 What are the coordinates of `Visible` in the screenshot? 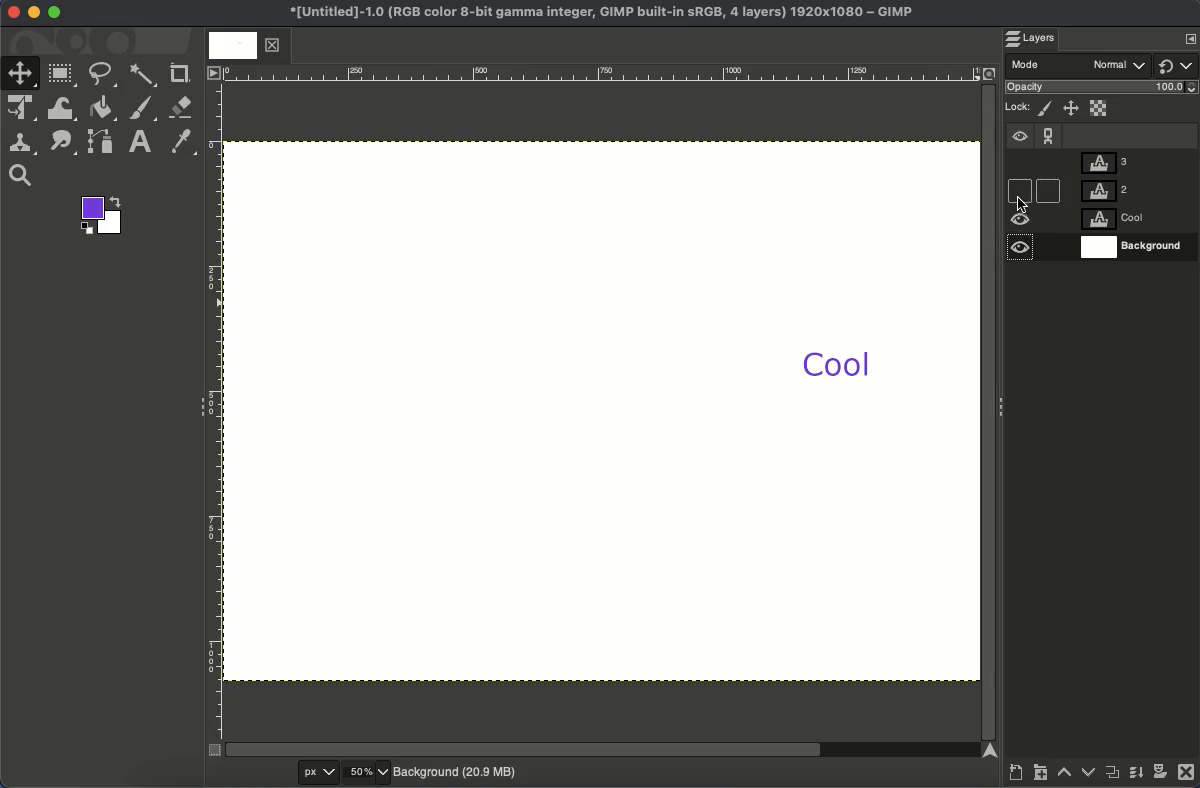 It's located at (1018, 140).